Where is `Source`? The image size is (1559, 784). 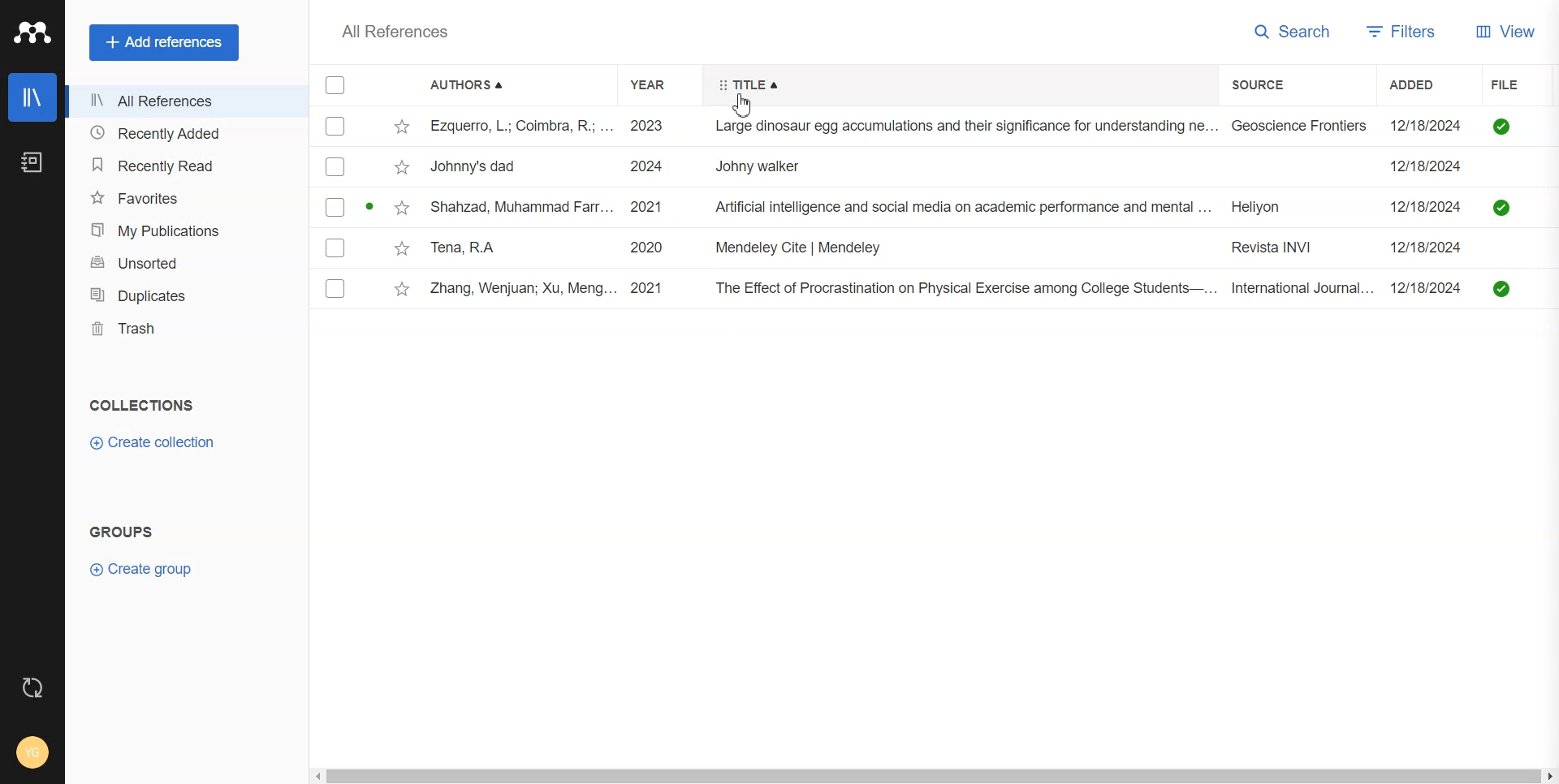
Source is located at coordinates (1276, 84).